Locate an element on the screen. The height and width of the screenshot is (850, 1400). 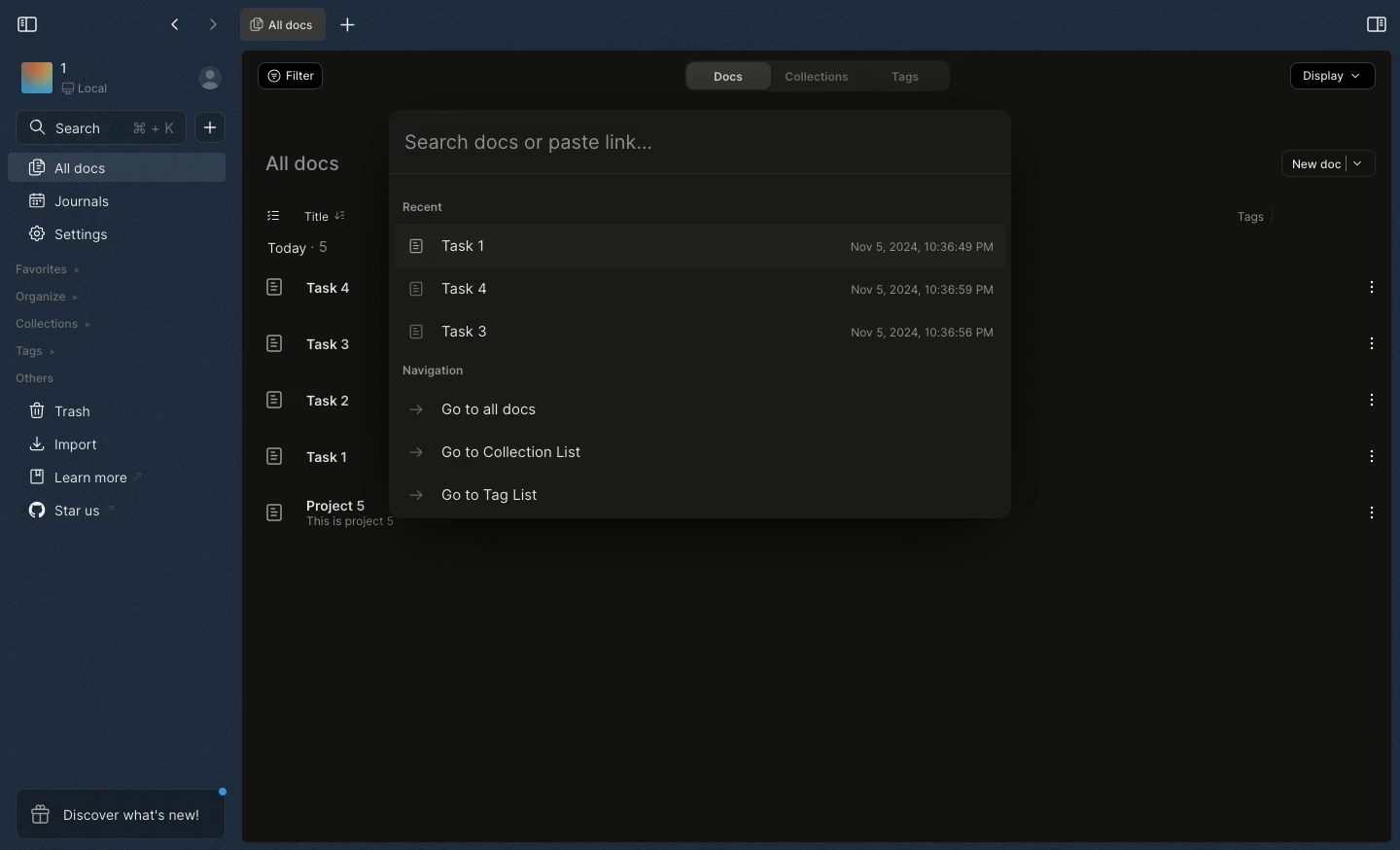
Recent is located at coordinates (427, 207).